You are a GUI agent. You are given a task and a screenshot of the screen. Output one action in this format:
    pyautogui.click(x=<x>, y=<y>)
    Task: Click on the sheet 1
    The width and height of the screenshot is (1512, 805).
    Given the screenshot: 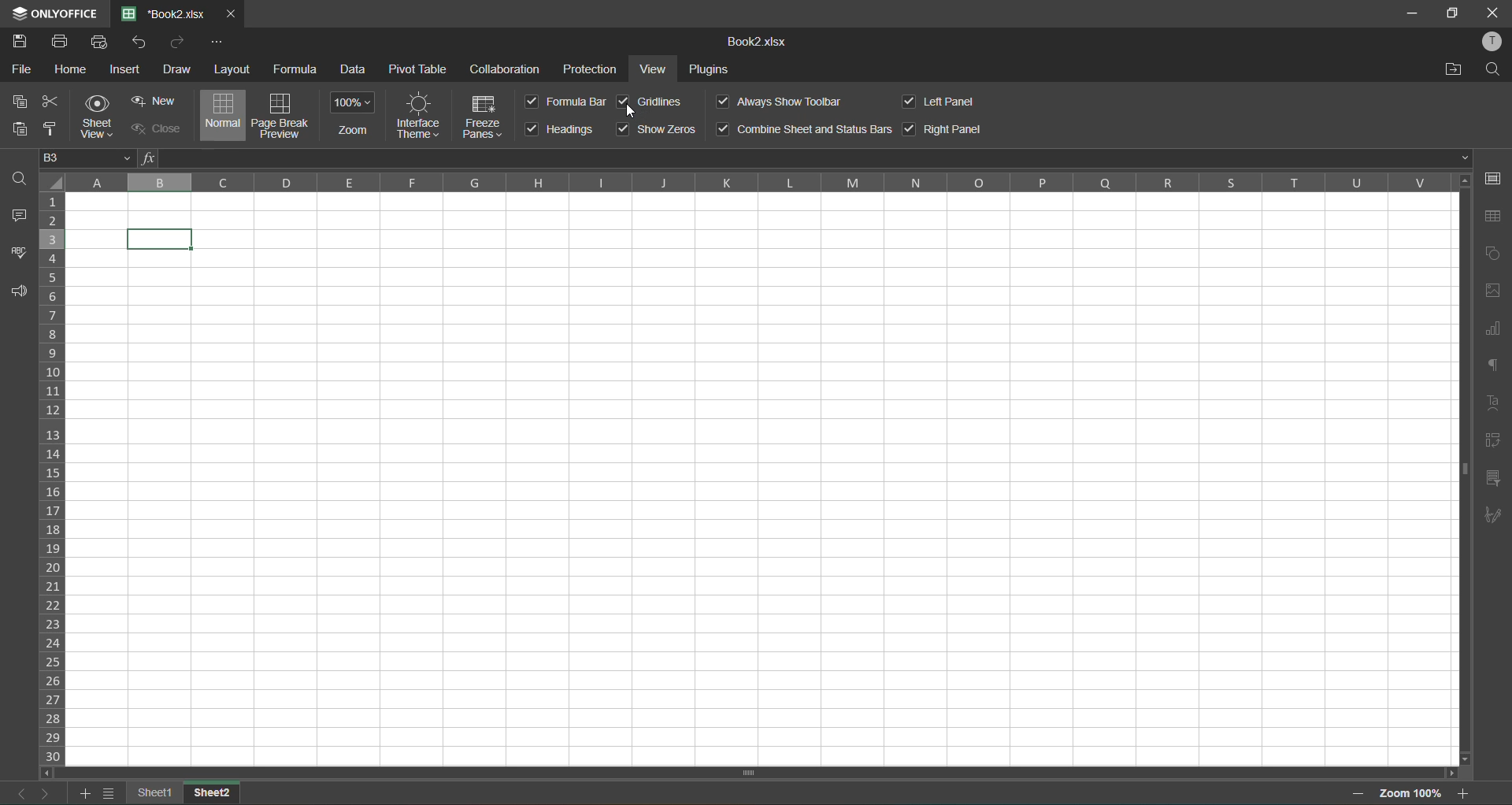 What is the action you would take?
    pyautogui.click(x=156, y=792)
    